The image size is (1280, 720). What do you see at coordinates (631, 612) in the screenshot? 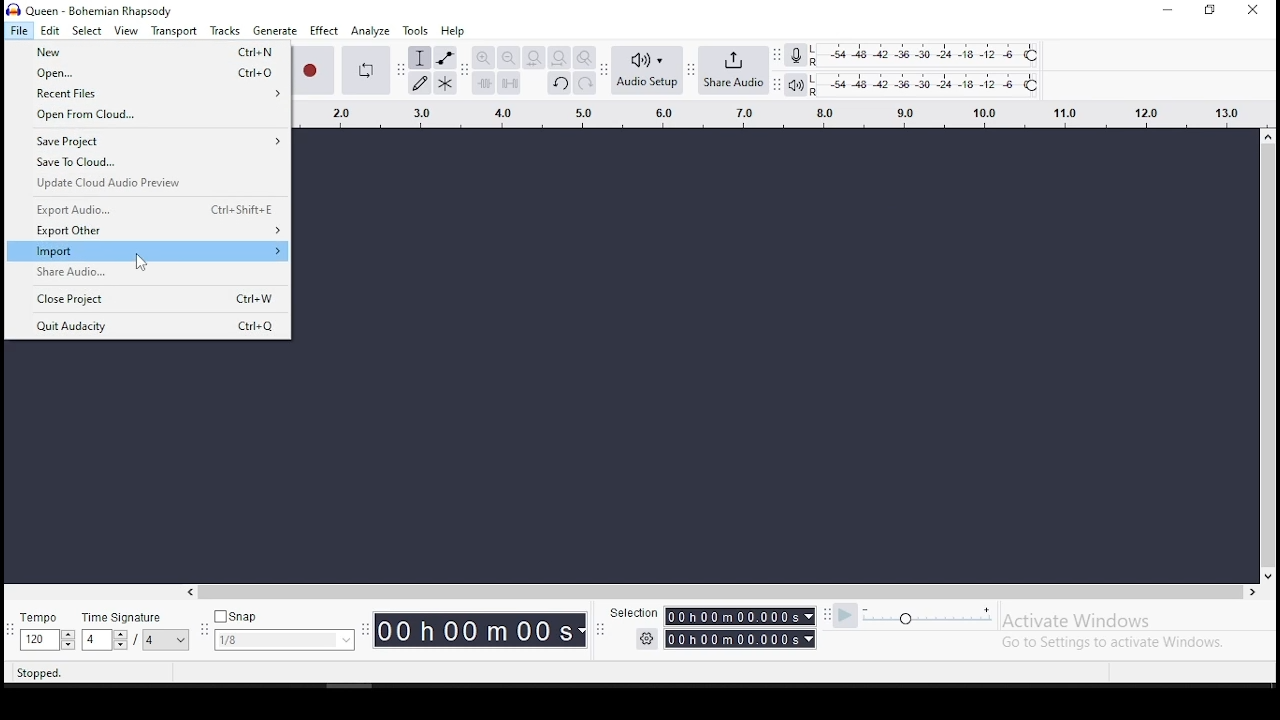
I see `Selection` at bounding box center [631, 612].